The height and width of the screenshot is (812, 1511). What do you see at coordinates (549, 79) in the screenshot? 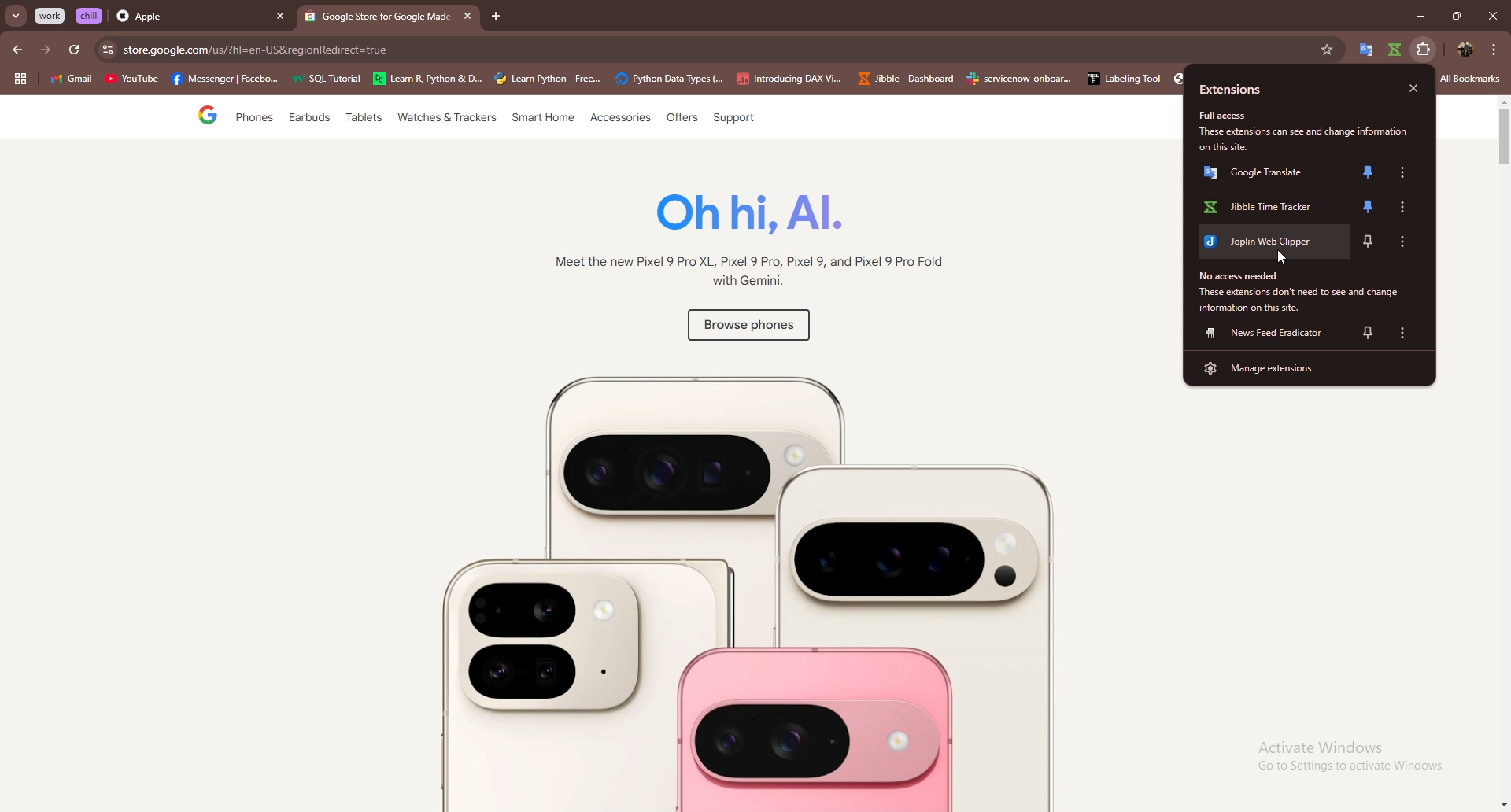
I see `Learn  Python- Free` at bounding box center [549, 79].